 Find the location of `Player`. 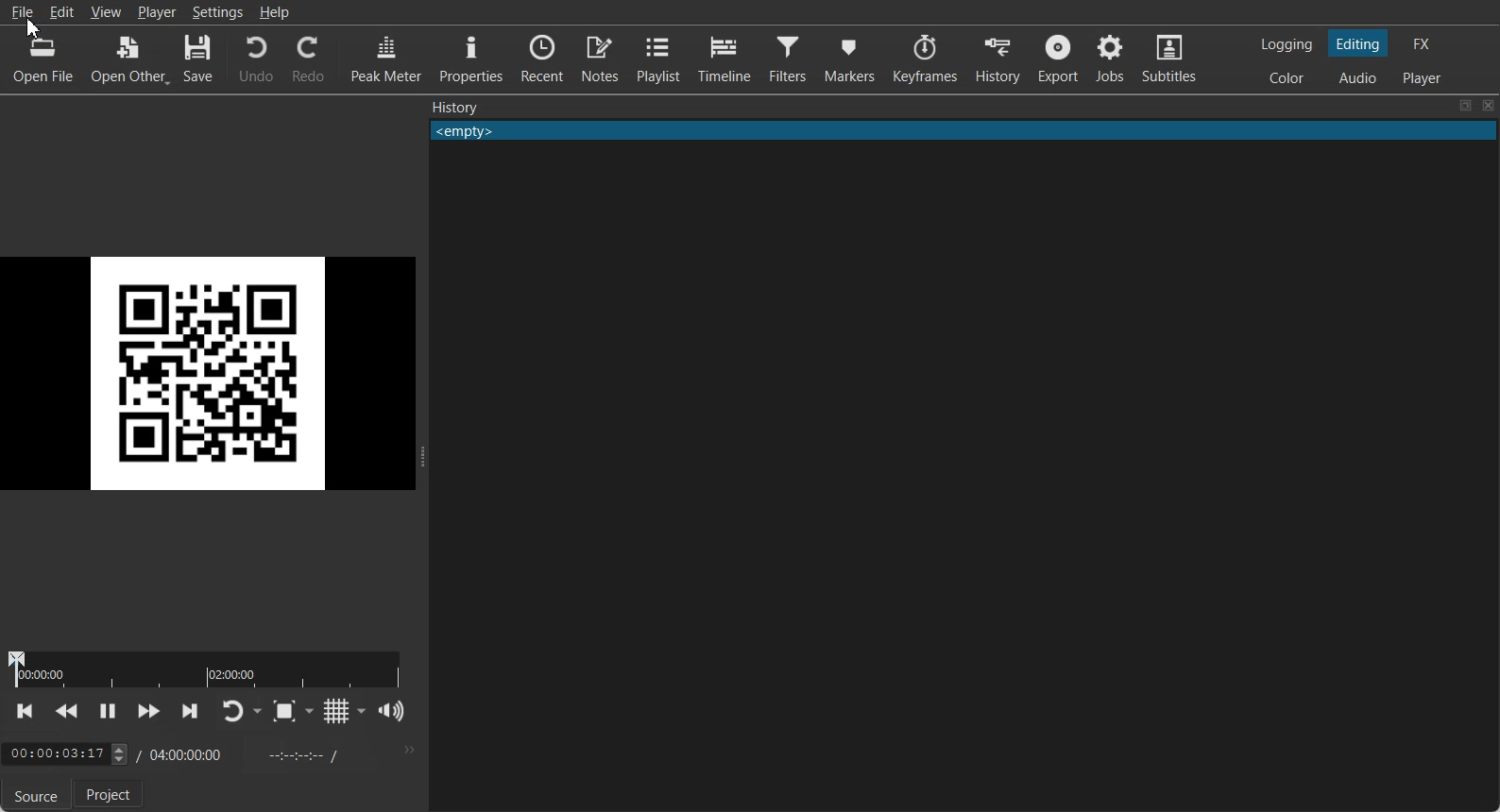

Player is located at coordinates (159, 13).